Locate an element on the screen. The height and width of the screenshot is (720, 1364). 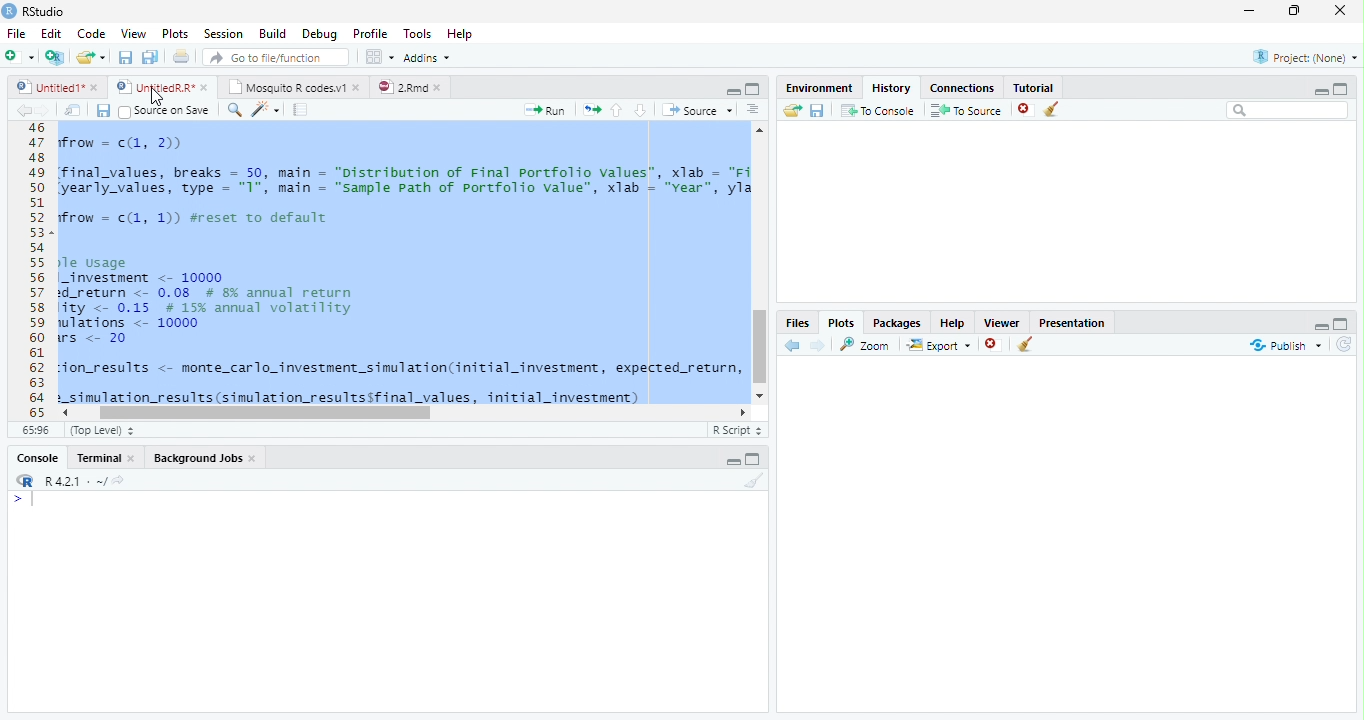
To Source is located at coordinates (966, 110).